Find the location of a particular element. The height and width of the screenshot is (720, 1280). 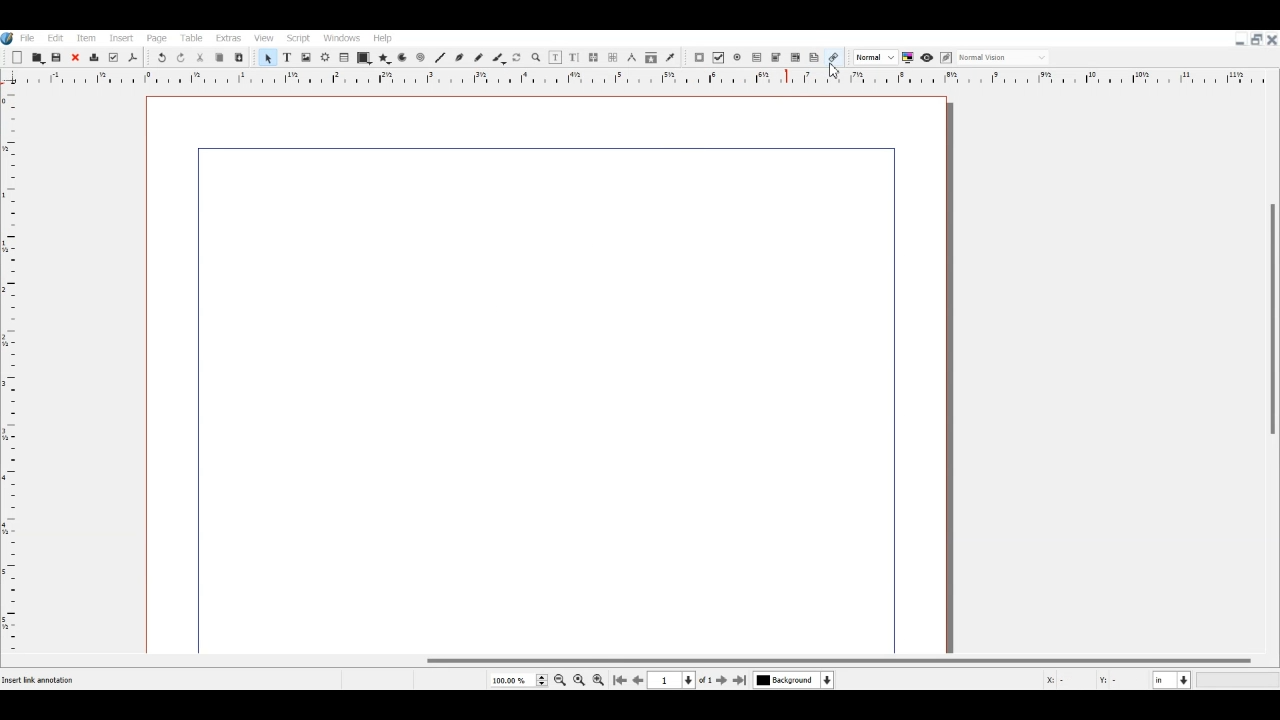

Toggle color management system is located at coordinates (909, 57).